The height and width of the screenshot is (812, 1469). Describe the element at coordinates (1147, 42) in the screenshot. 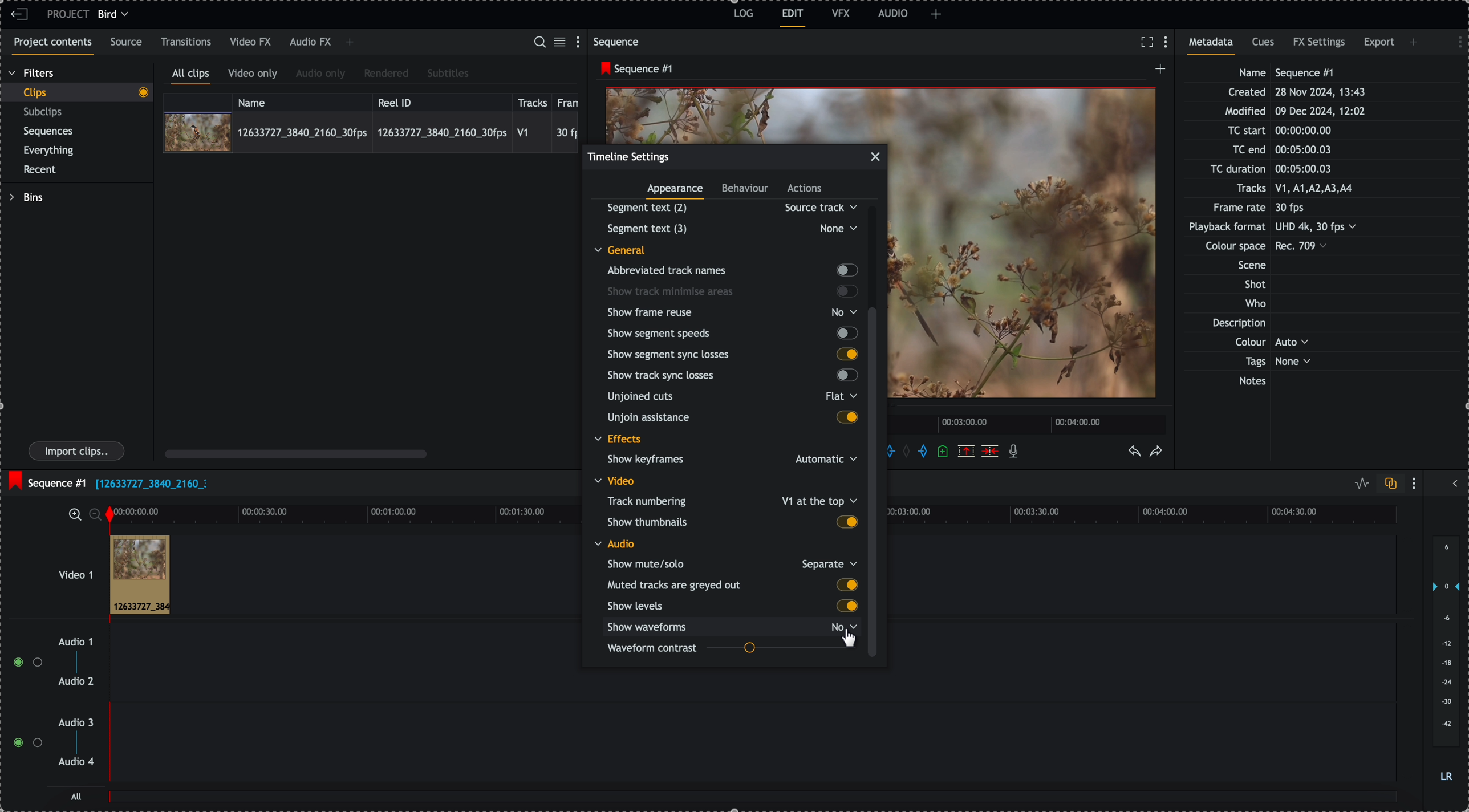

I see `fullscreen` at that location.